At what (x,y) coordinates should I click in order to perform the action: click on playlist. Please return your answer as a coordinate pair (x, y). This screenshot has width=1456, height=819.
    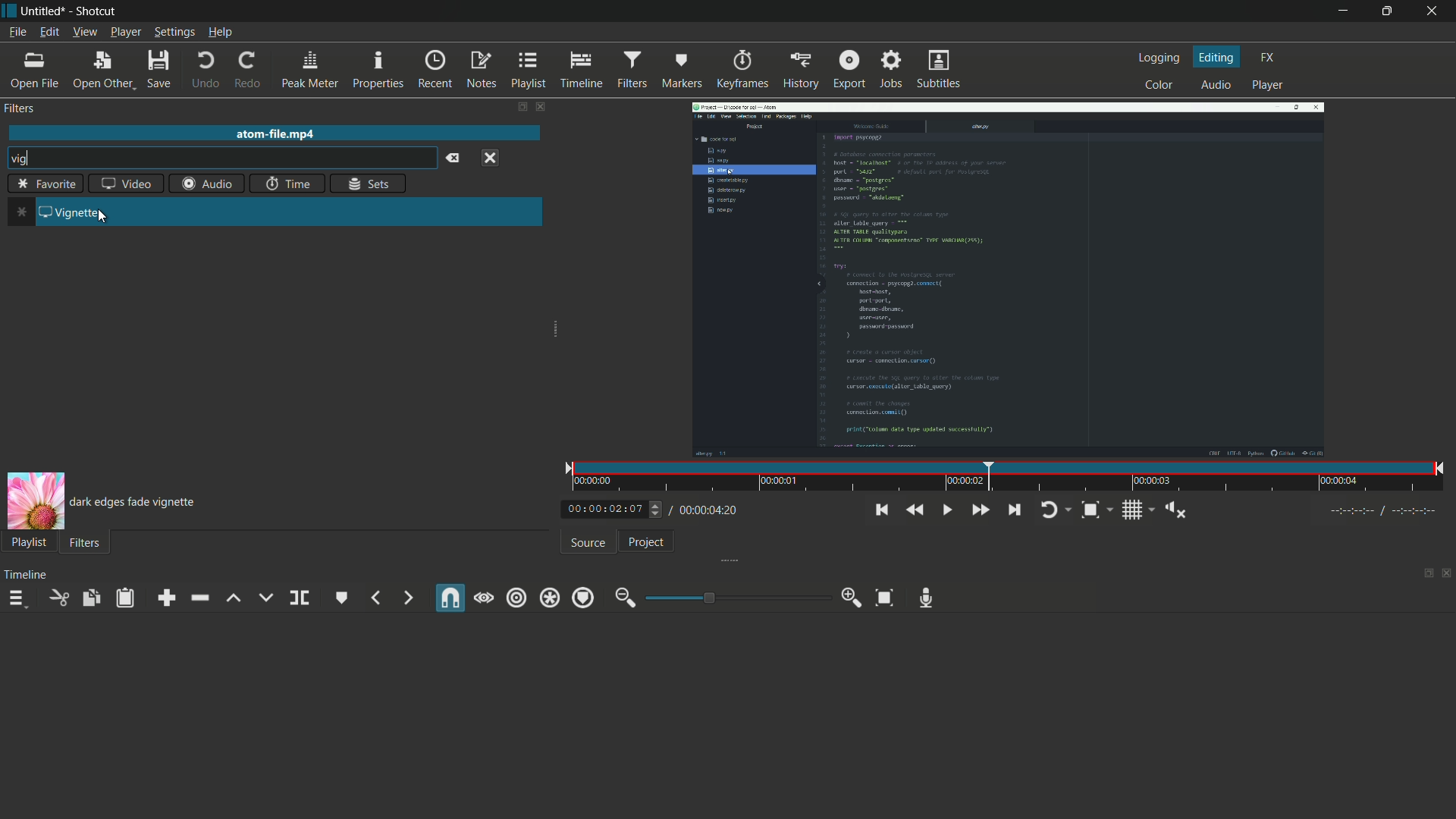
    Looking at the image, I should click on (529, 70).